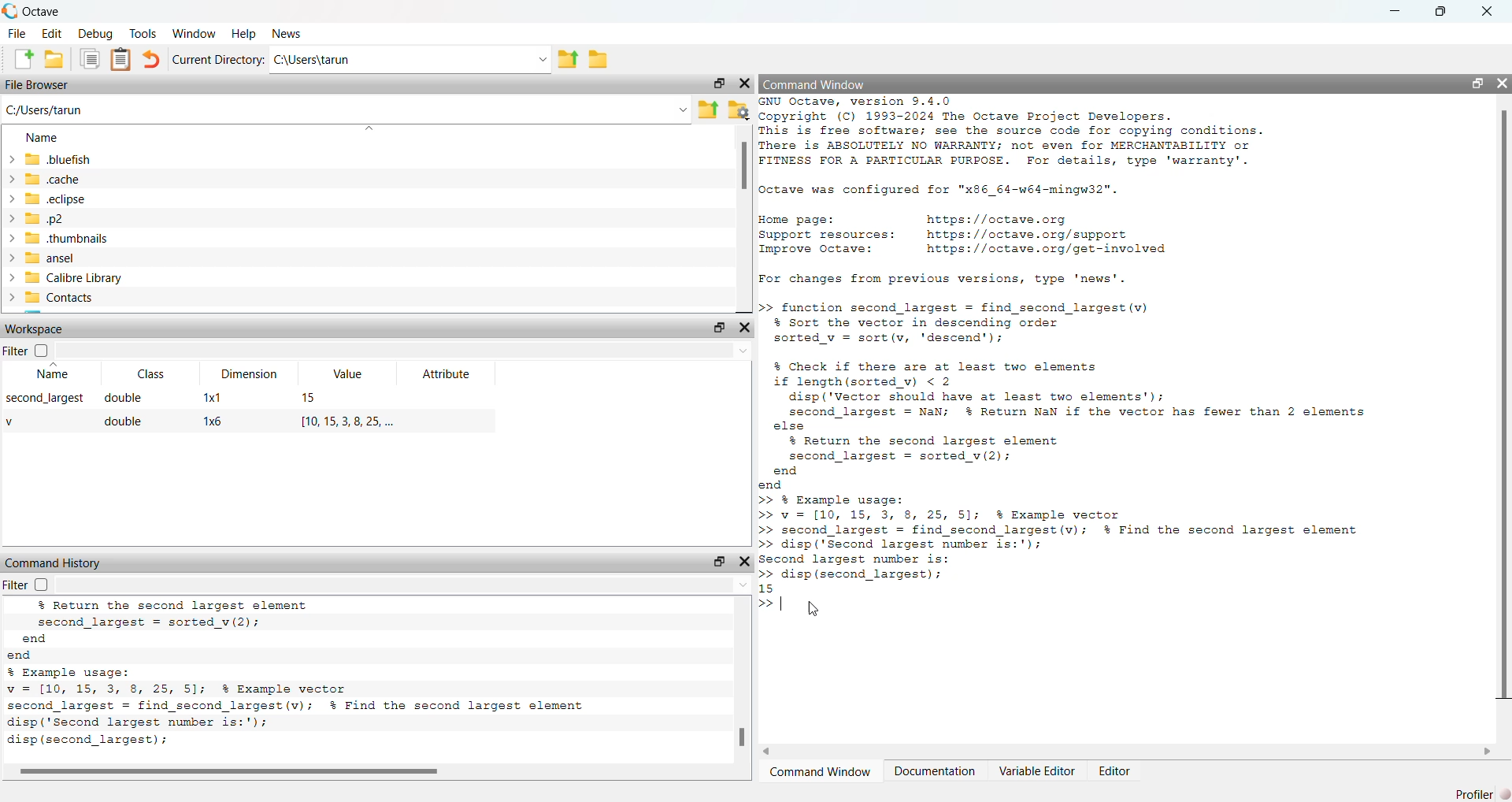 Image resolution: width=1512 pixels, height=802 pixels. I want to click on documentation, so click(934, 772).